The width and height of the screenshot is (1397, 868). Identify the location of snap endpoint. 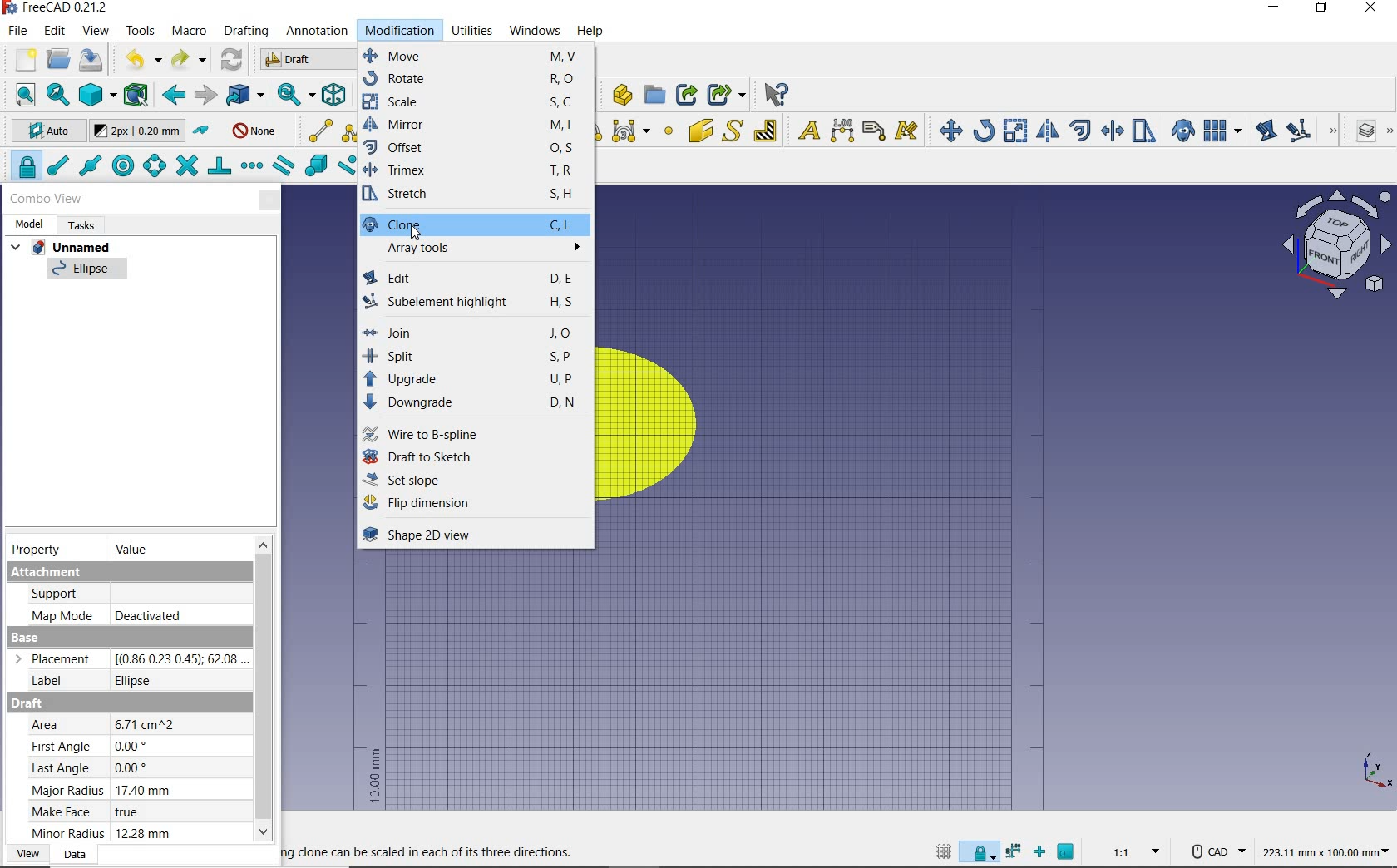
(59, 166).